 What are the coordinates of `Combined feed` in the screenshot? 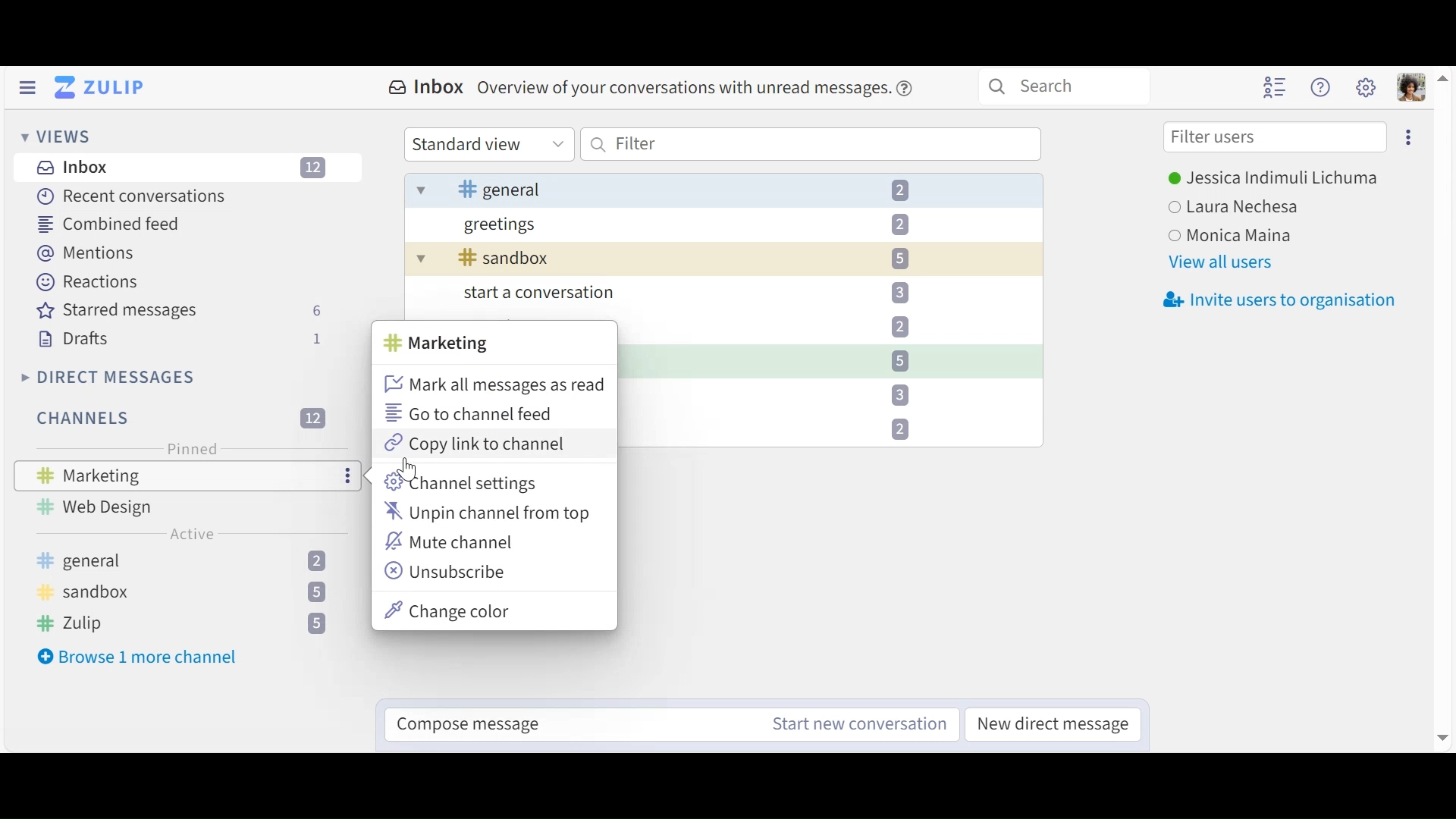 It's located at (105, 224).